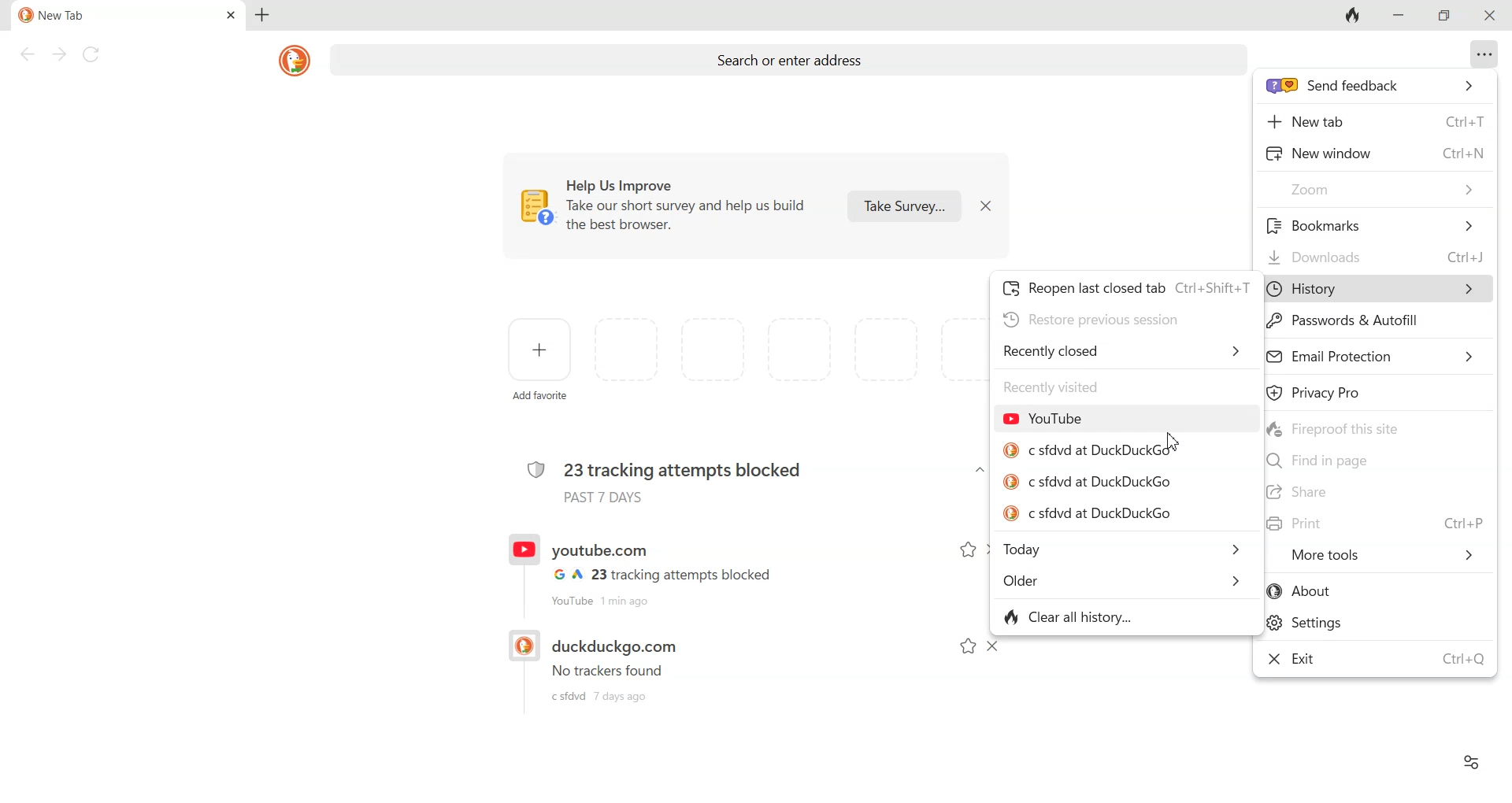 The image size is (1512, 803). Describe the element at coordinates (1091, 320) in the screenshot. I see `Restore previous session` at that location.